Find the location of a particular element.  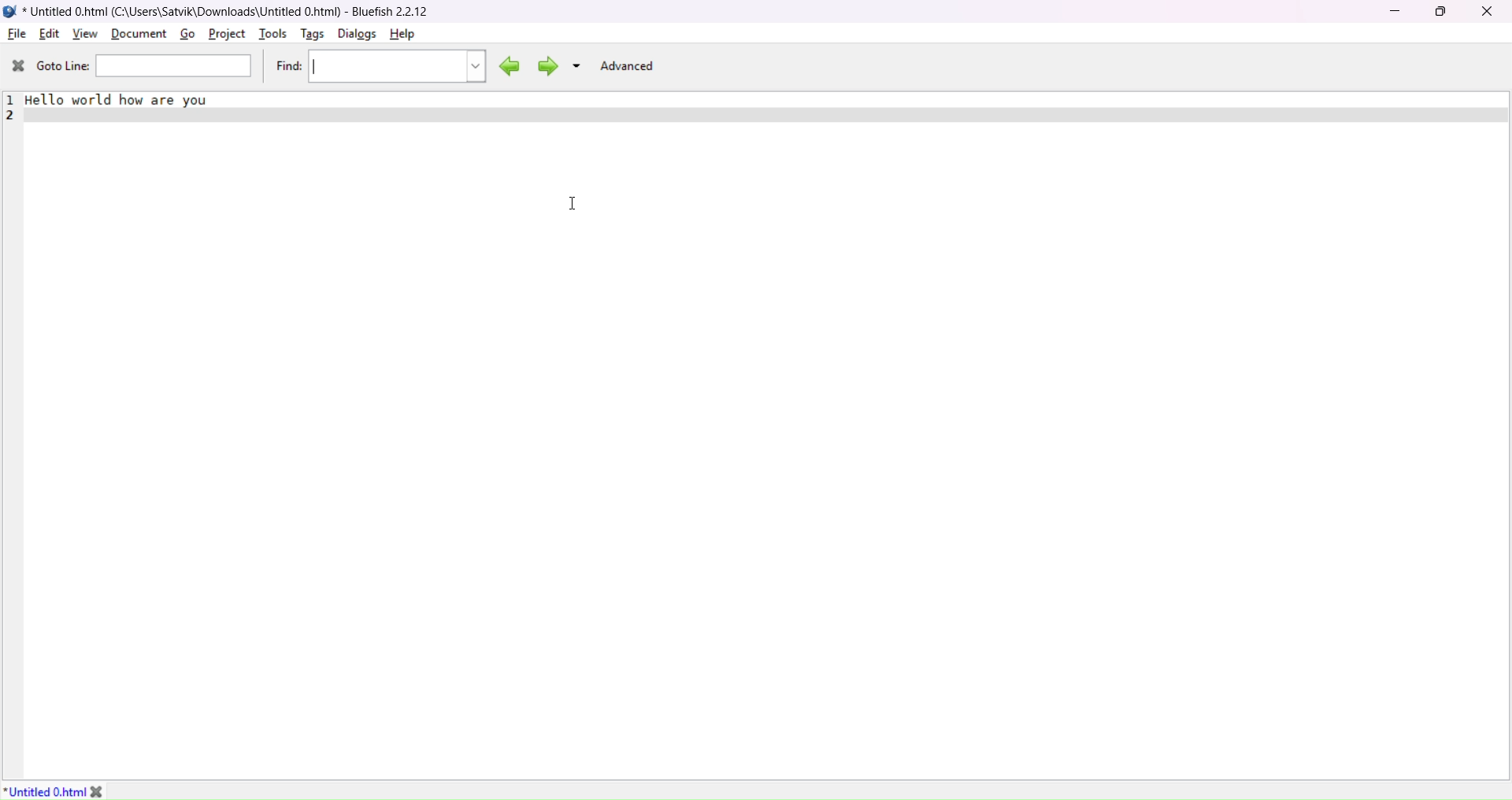

close tab is located at coordinates (109, 790).